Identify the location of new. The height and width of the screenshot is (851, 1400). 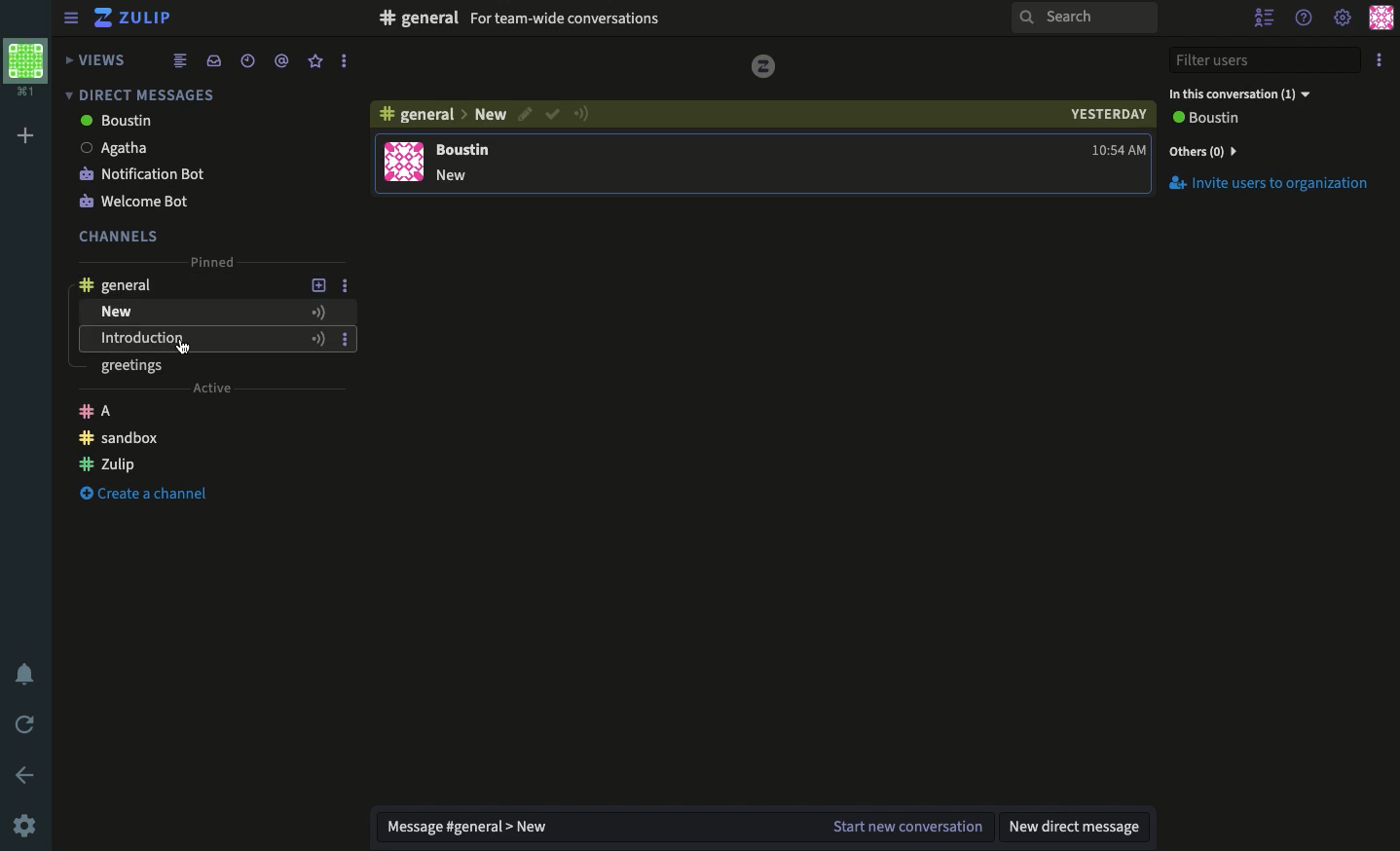
(186, 312).